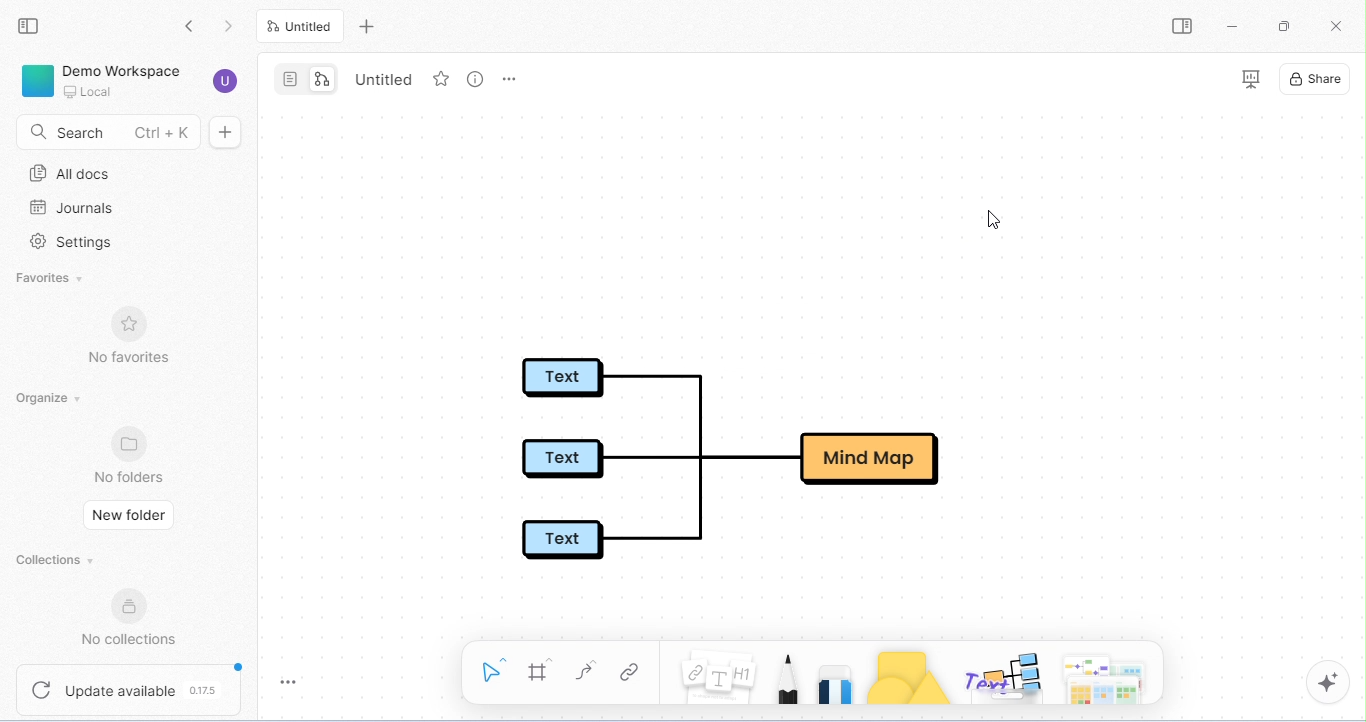 Image resolution: width=1366 pixels, height=722 pixels. I want to click on no favorites, so click(132, 336).